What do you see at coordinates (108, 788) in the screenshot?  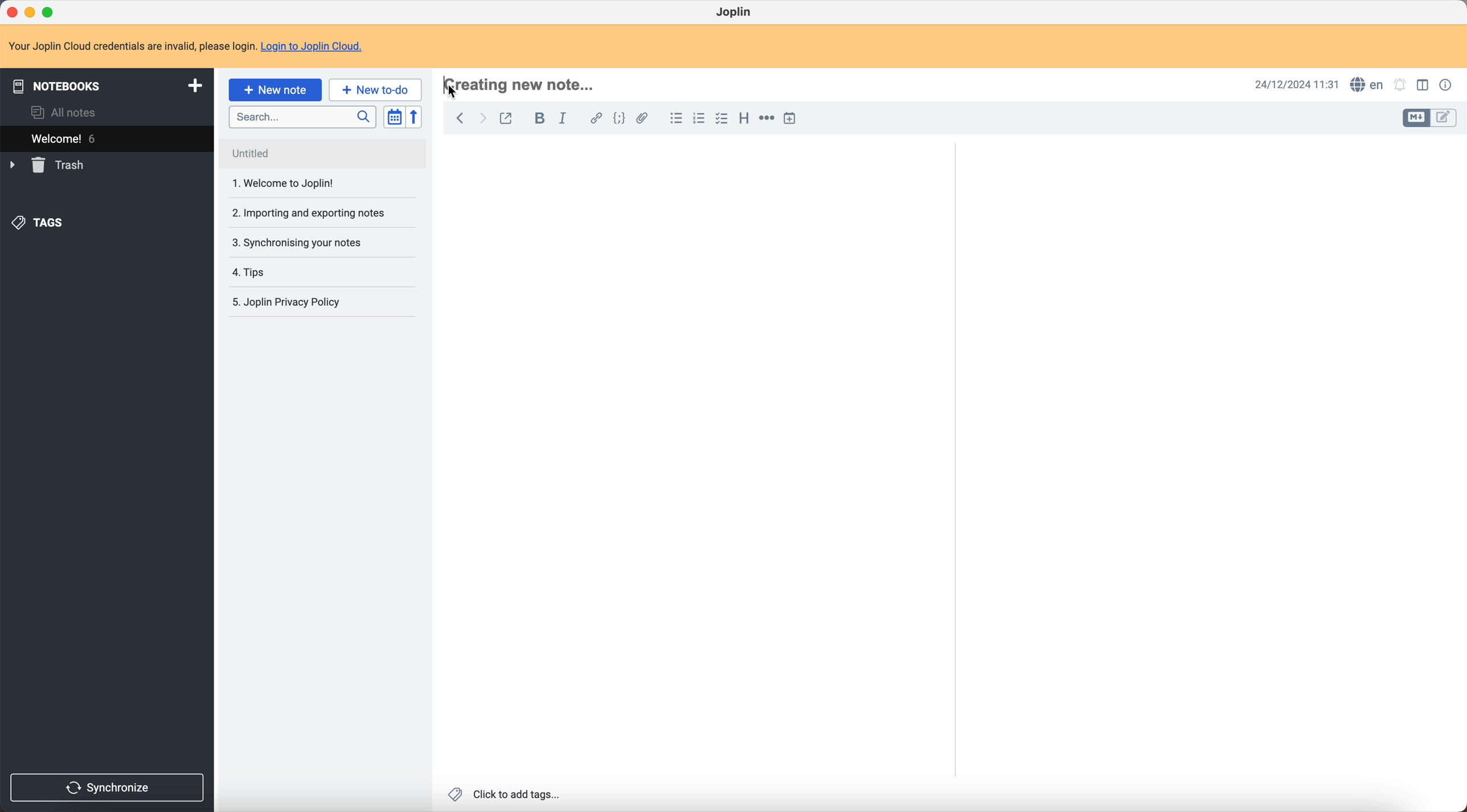 I see `synchronize` at bounding box center [108, 788].